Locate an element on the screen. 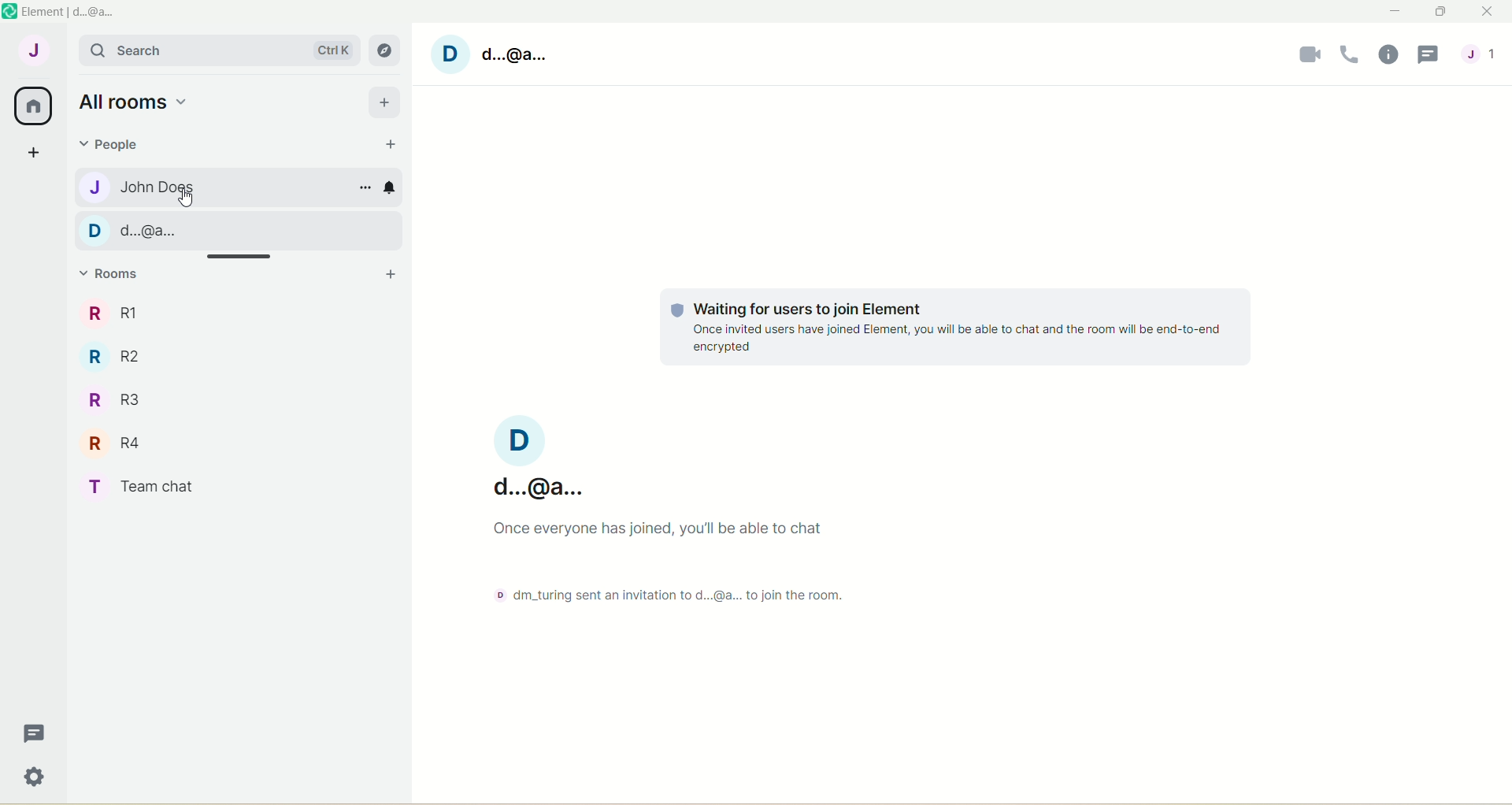 Image resolution: width=1512 pixels, height=805 pixels. maximize is located at coordinates (1440, 12).